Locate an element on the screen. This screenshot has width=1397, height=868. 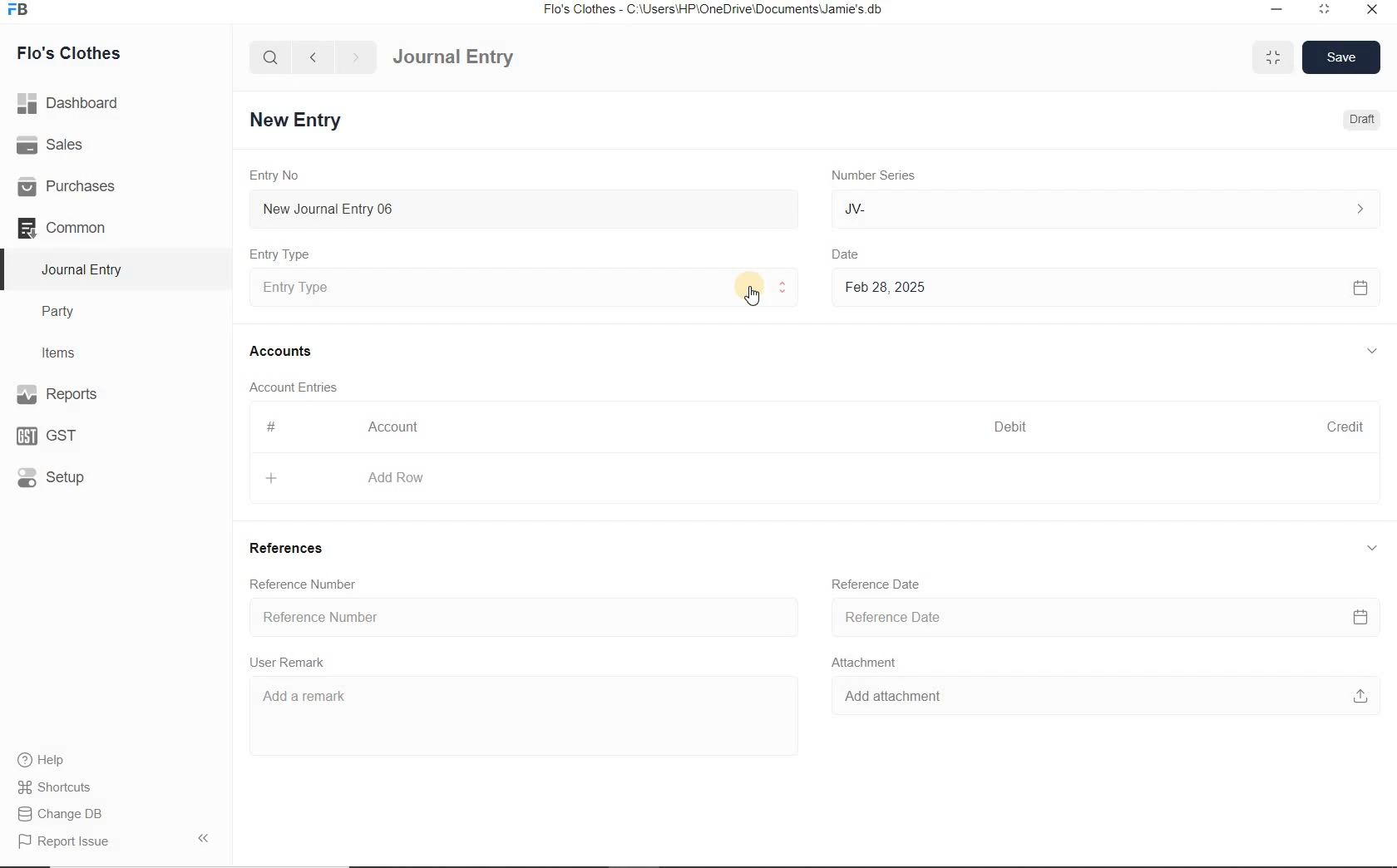
Debit is located at coordinates (1012, 427).